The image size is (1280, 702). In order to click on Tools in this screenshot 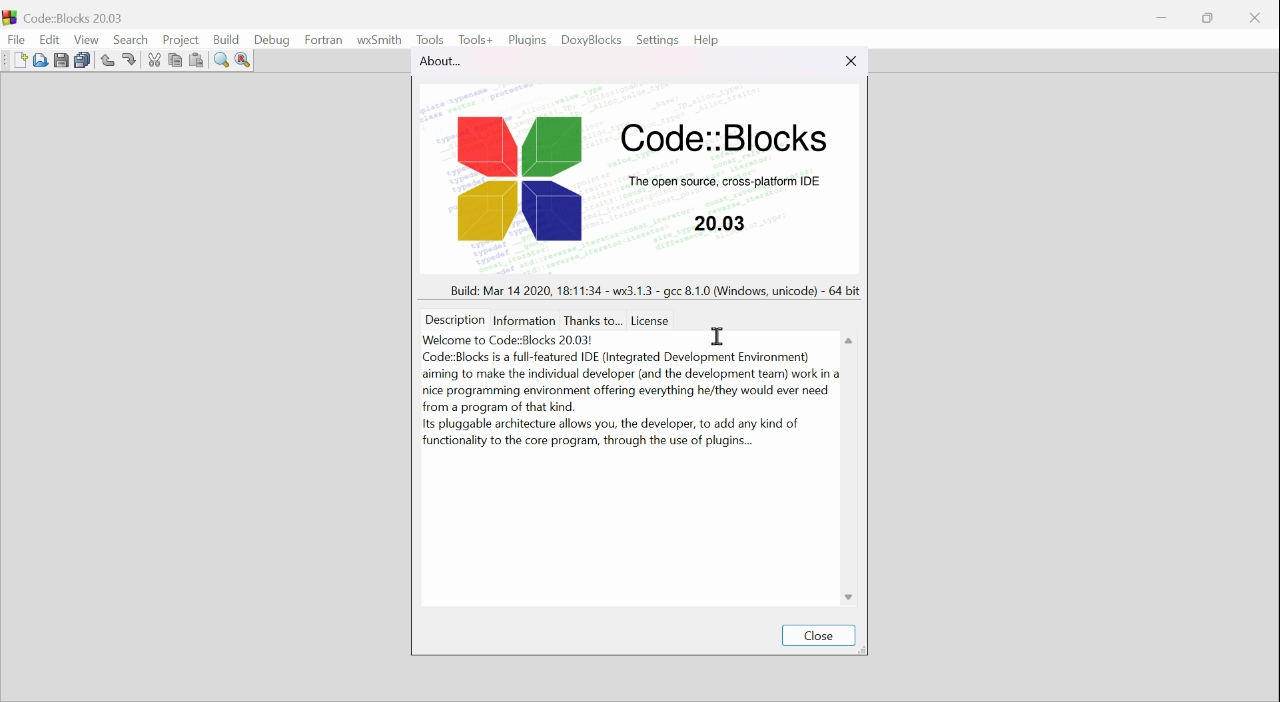, I will do `click(431, 36)`.